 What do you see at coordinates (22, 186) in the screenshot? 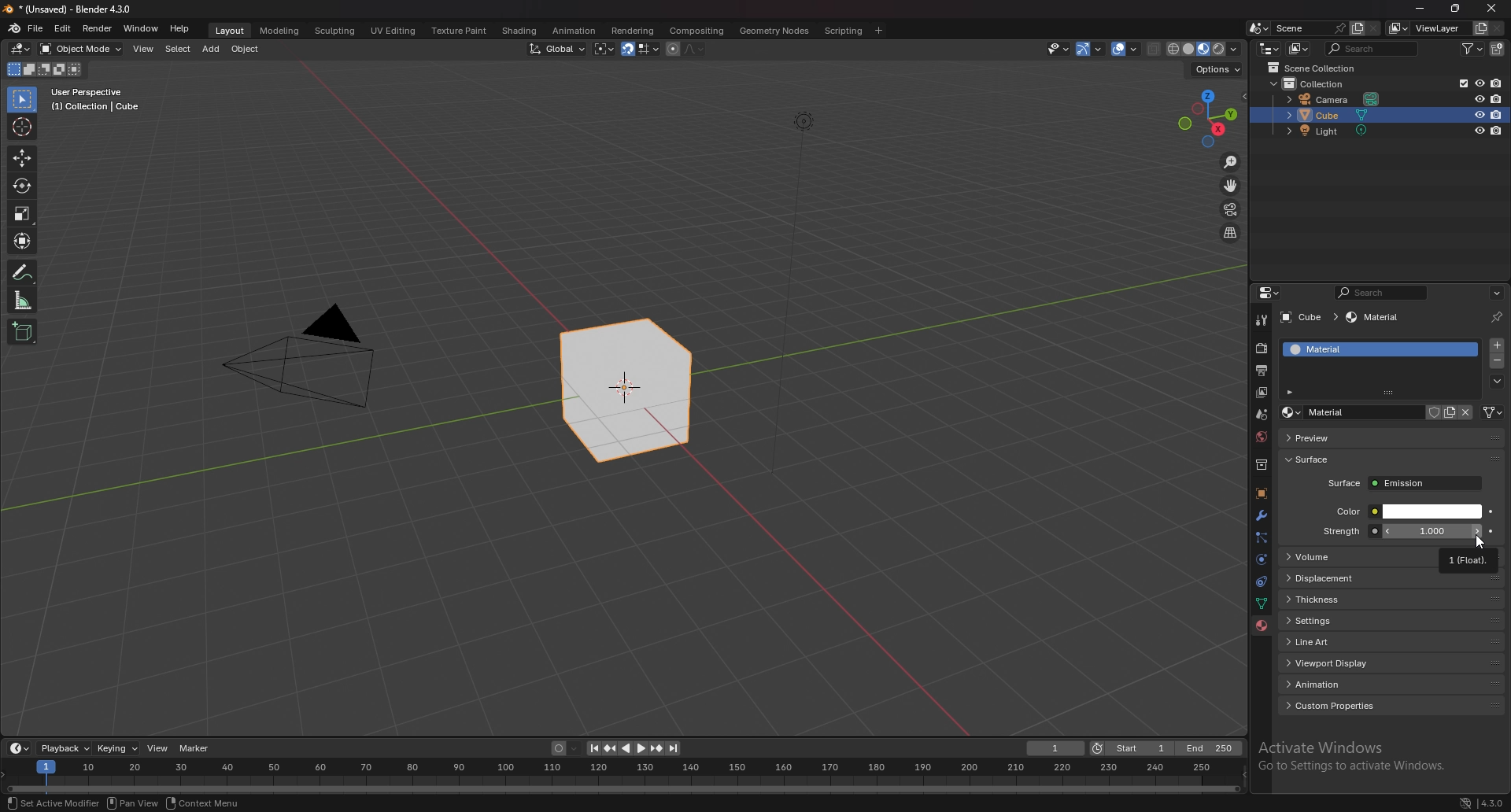
I see `rotate` at bounding box center [22, 186].